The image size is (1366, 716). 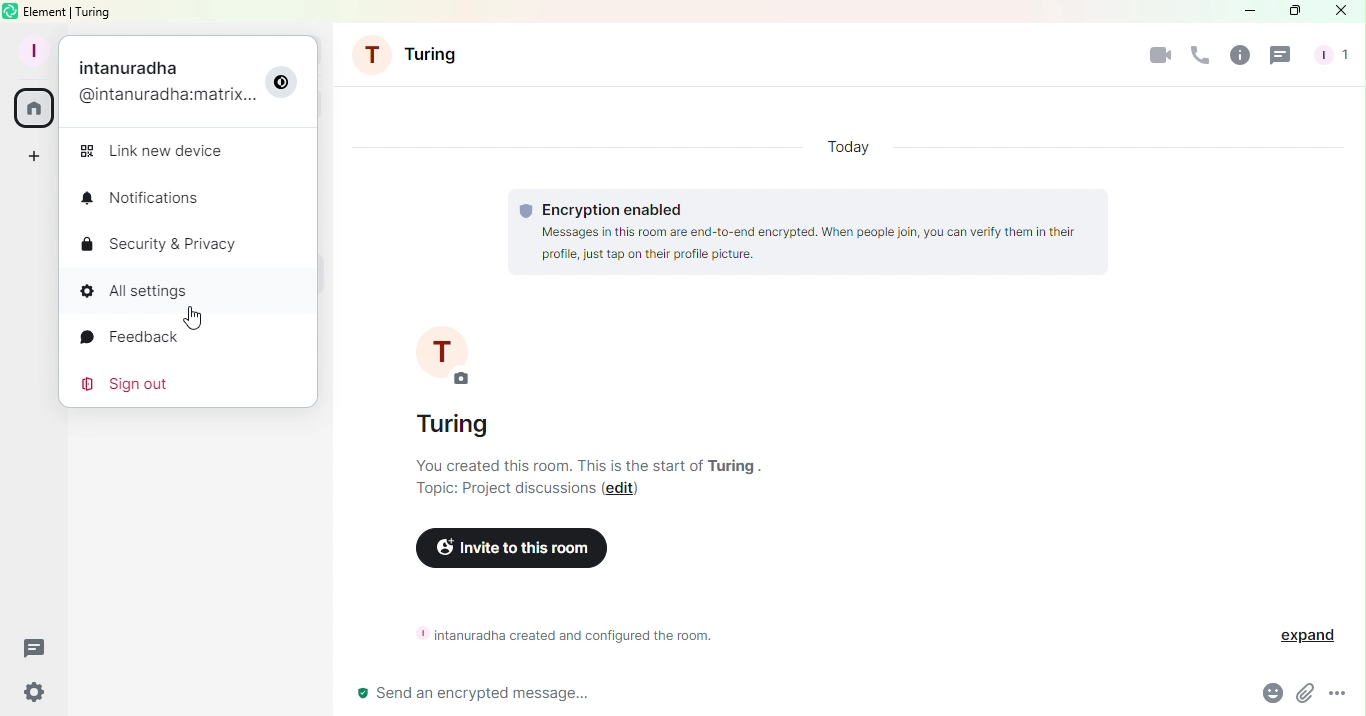 I want to click on Home, so click(x=37, y=110).